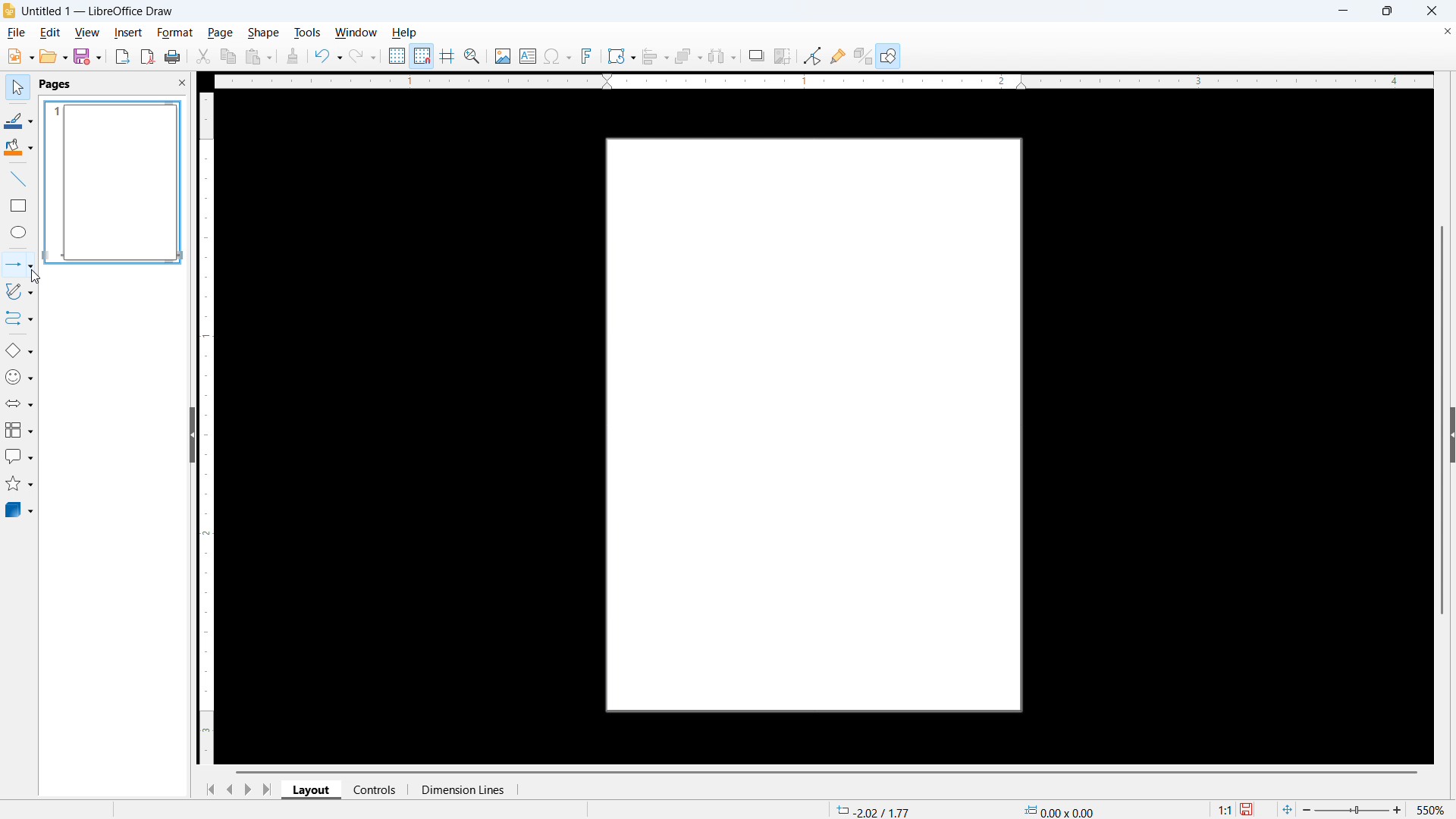 The image size is (1456, 819). What do you see at coordinates (863, 55) in the screenshot?
I see `Toggle extrusion ` at bounding box center [863, 55].